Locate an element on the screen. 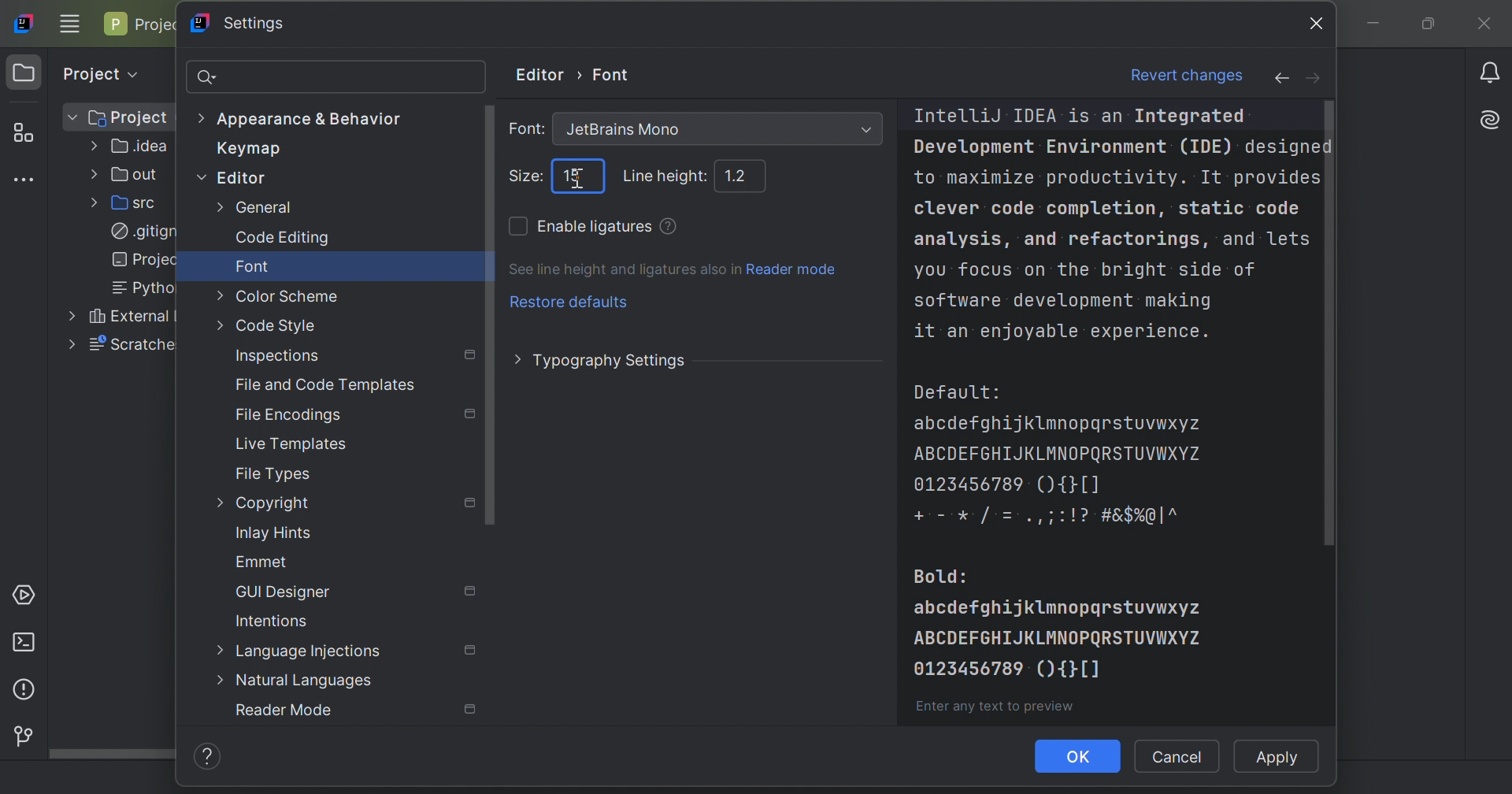  Inlay hints is located at coordinates (275, 532).